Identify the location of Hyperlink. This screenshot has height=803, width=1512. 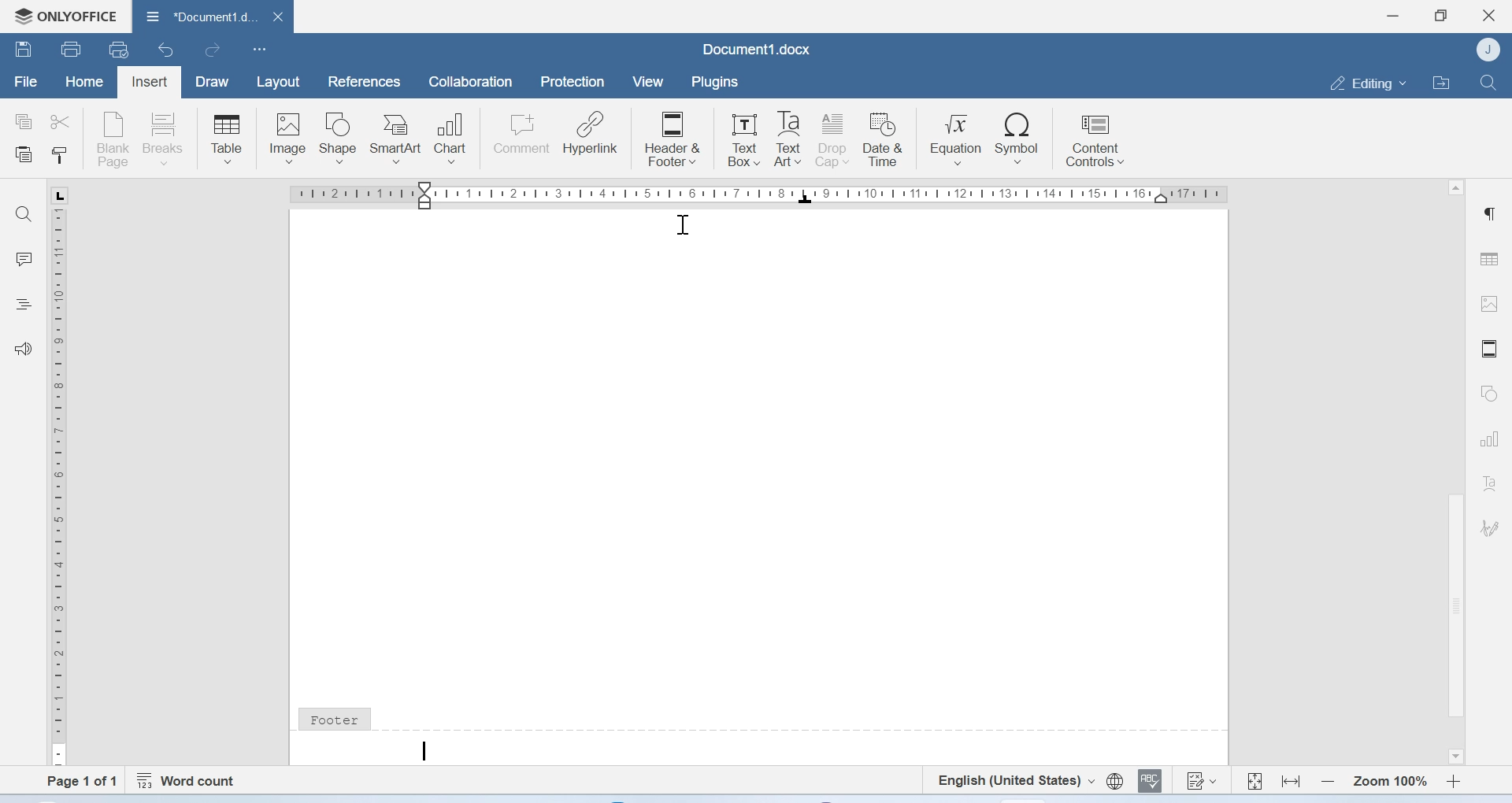
(591, 135).